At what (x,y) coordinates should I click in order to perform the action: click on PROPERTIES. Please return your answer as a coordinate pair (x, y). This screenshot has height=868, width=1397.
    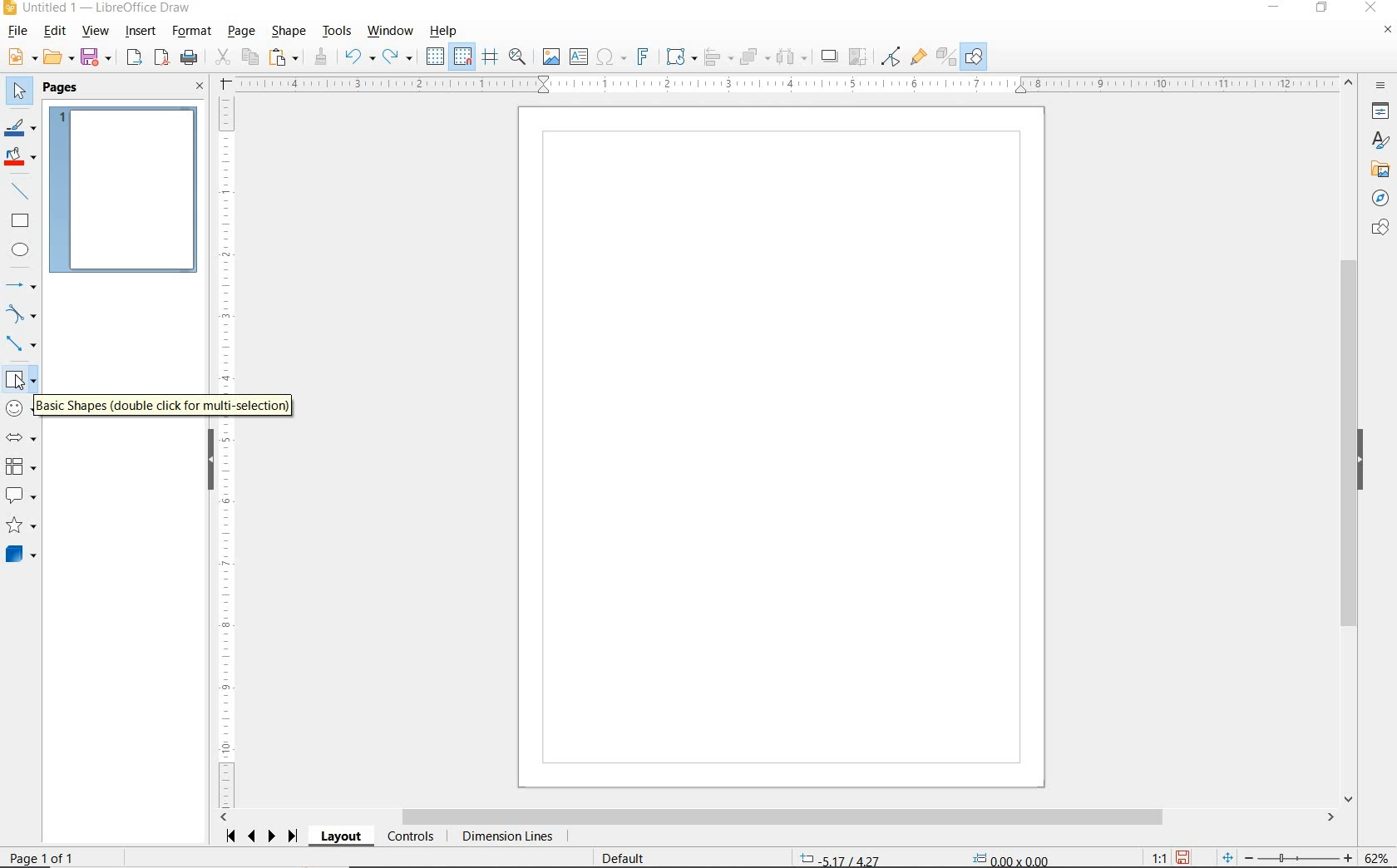
    Looking at the image, I should click on (1378, 113).